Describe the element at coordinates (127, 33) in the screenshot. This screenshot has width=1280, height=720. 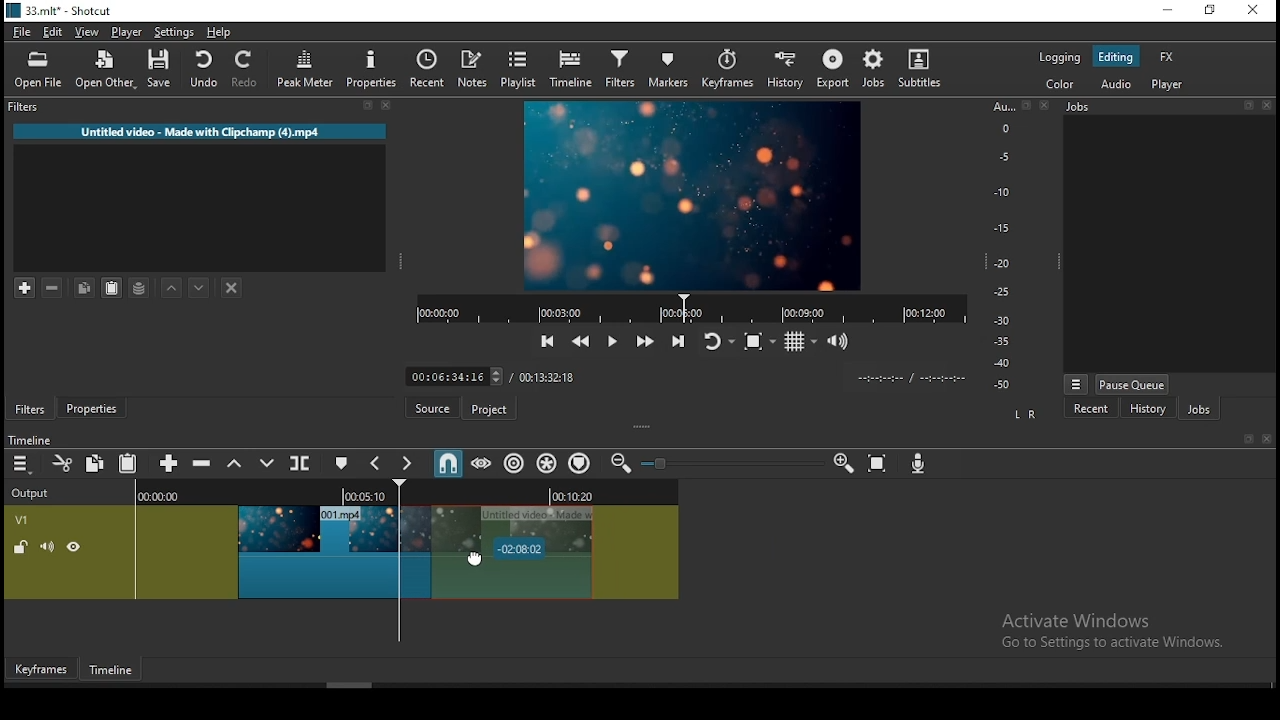
I see `player` at that location.